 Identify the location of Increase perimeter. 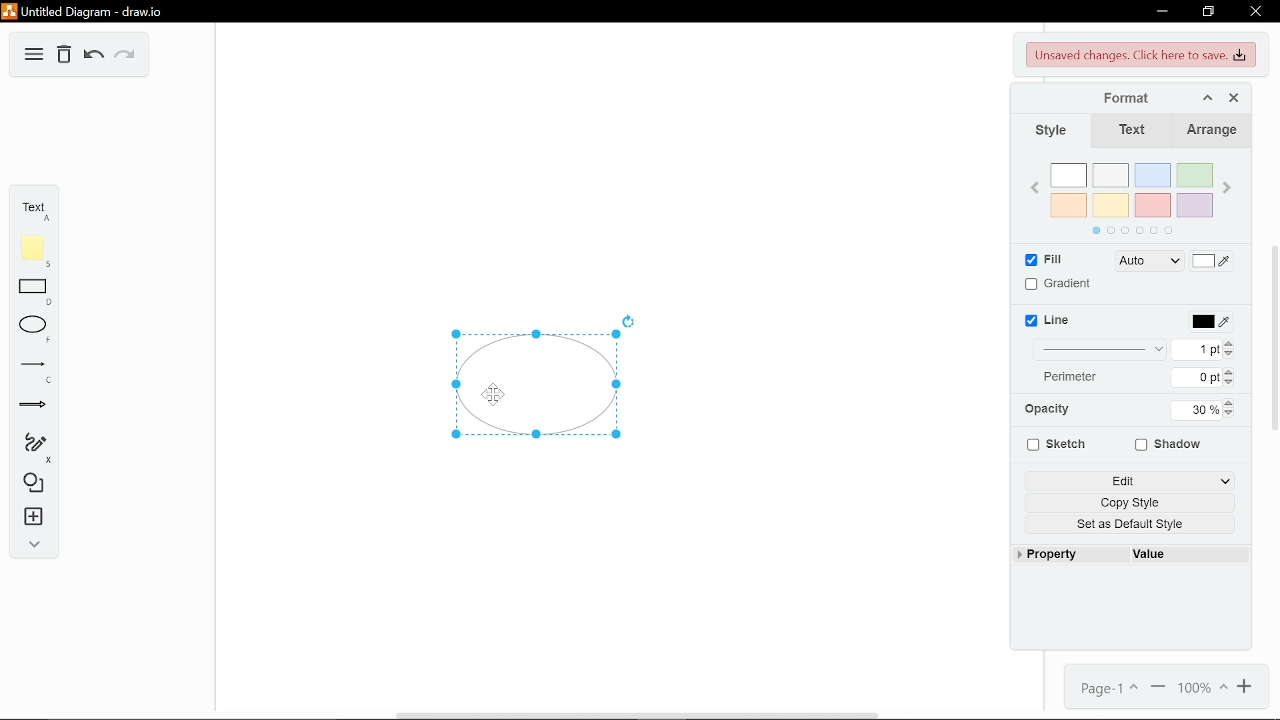
(1230, 372).